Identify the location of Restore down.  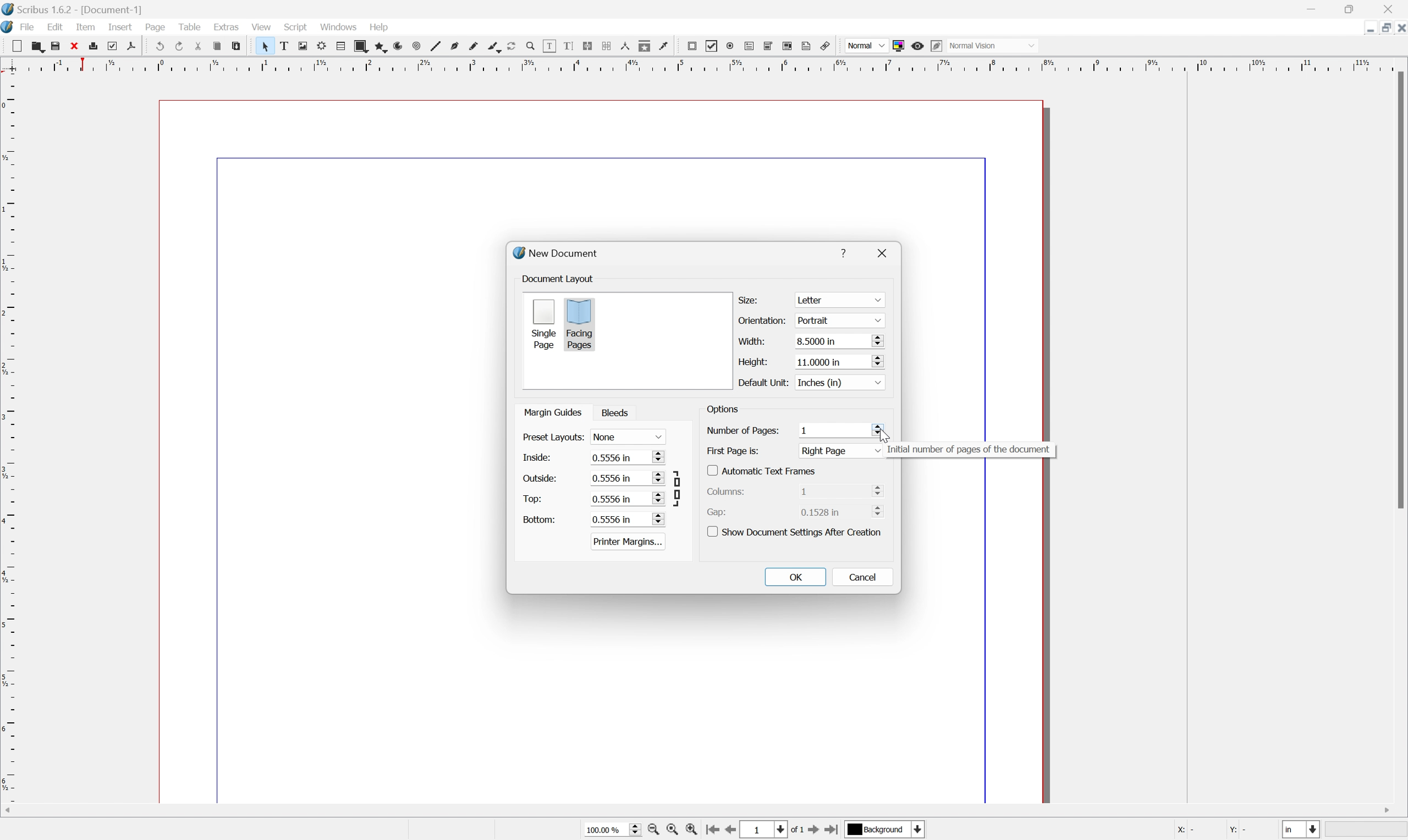
(1380, 27).